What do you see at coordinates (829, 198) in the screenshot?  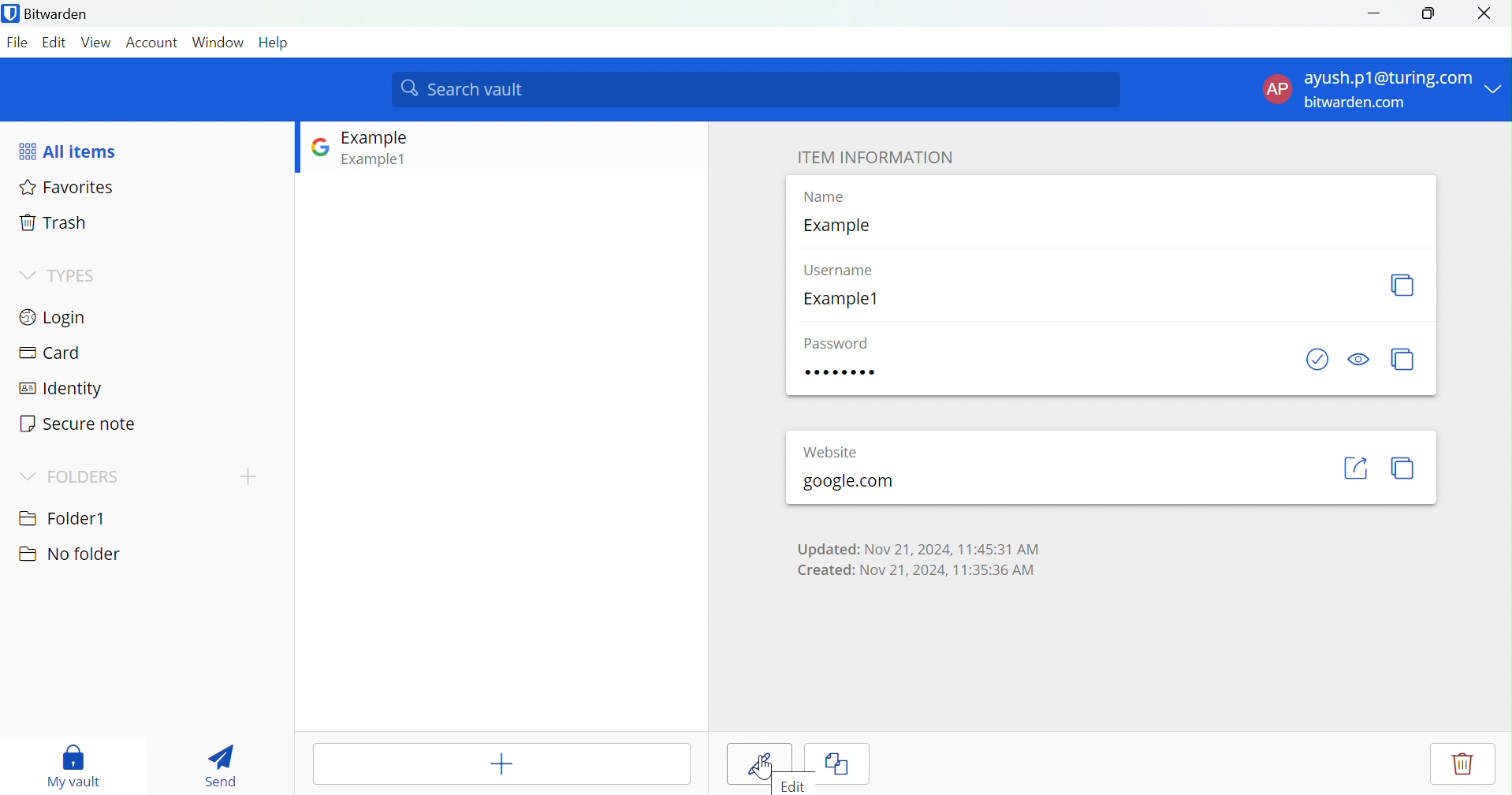 I see `Name` at bounding box center [829, 198].